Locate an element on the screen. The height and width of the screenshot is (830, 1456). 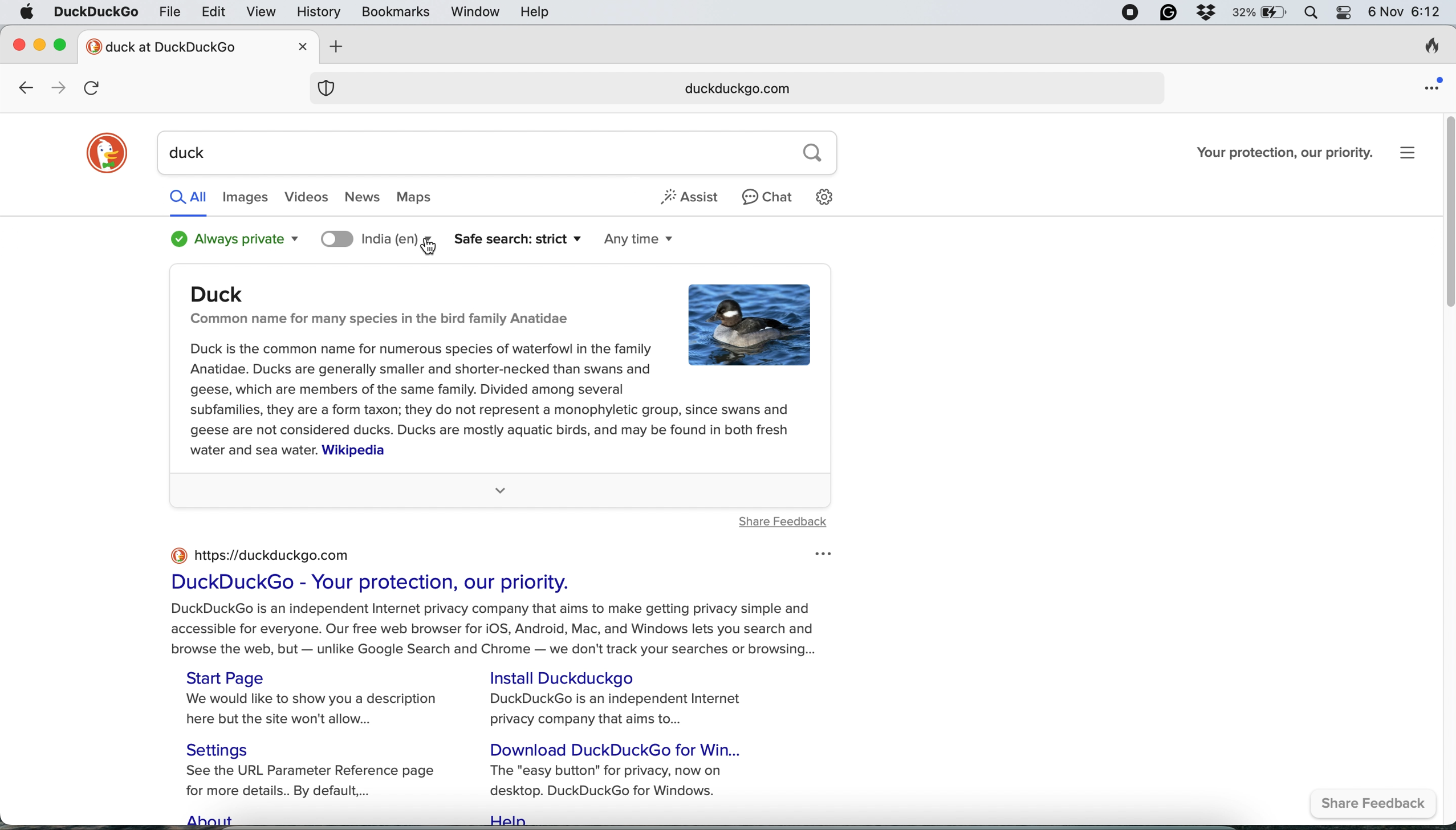
toggle location is located at coordinates (337, 238).